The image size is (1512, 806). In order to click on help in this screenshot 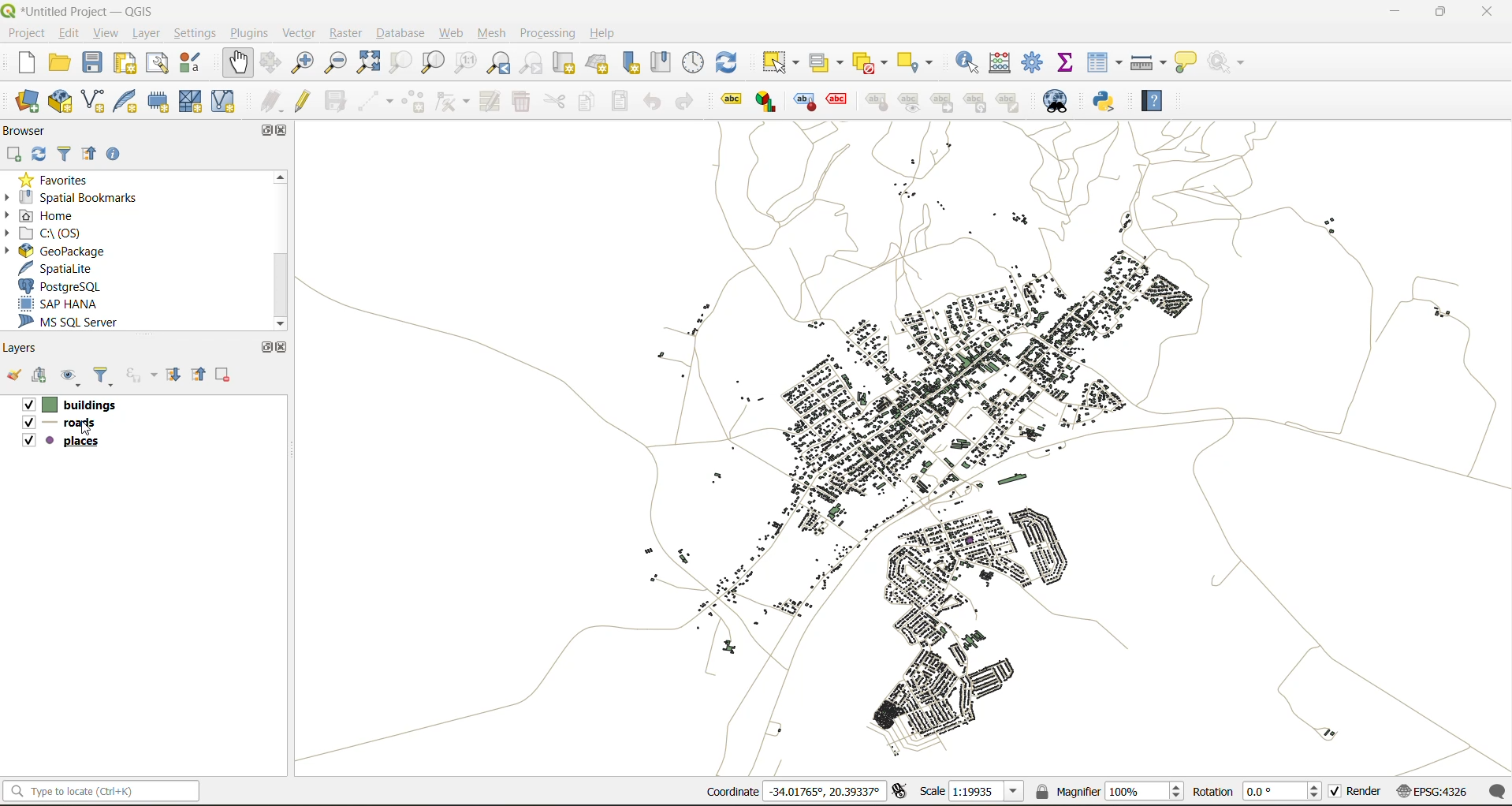, I will do `click(1156, 103)`.